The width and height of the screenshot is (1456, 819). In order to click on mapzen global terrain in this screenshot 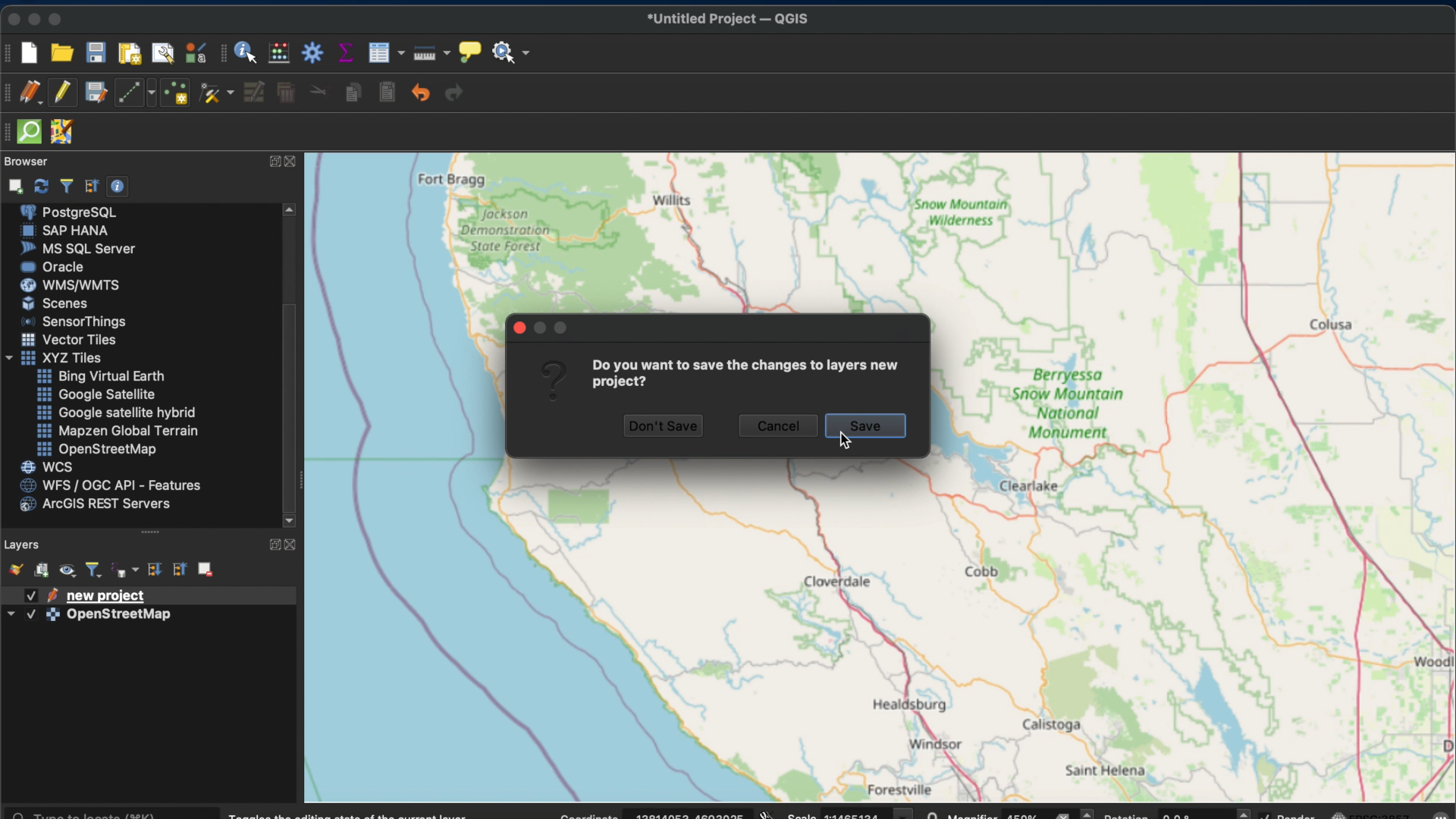, I will do `click(116, 431)`.